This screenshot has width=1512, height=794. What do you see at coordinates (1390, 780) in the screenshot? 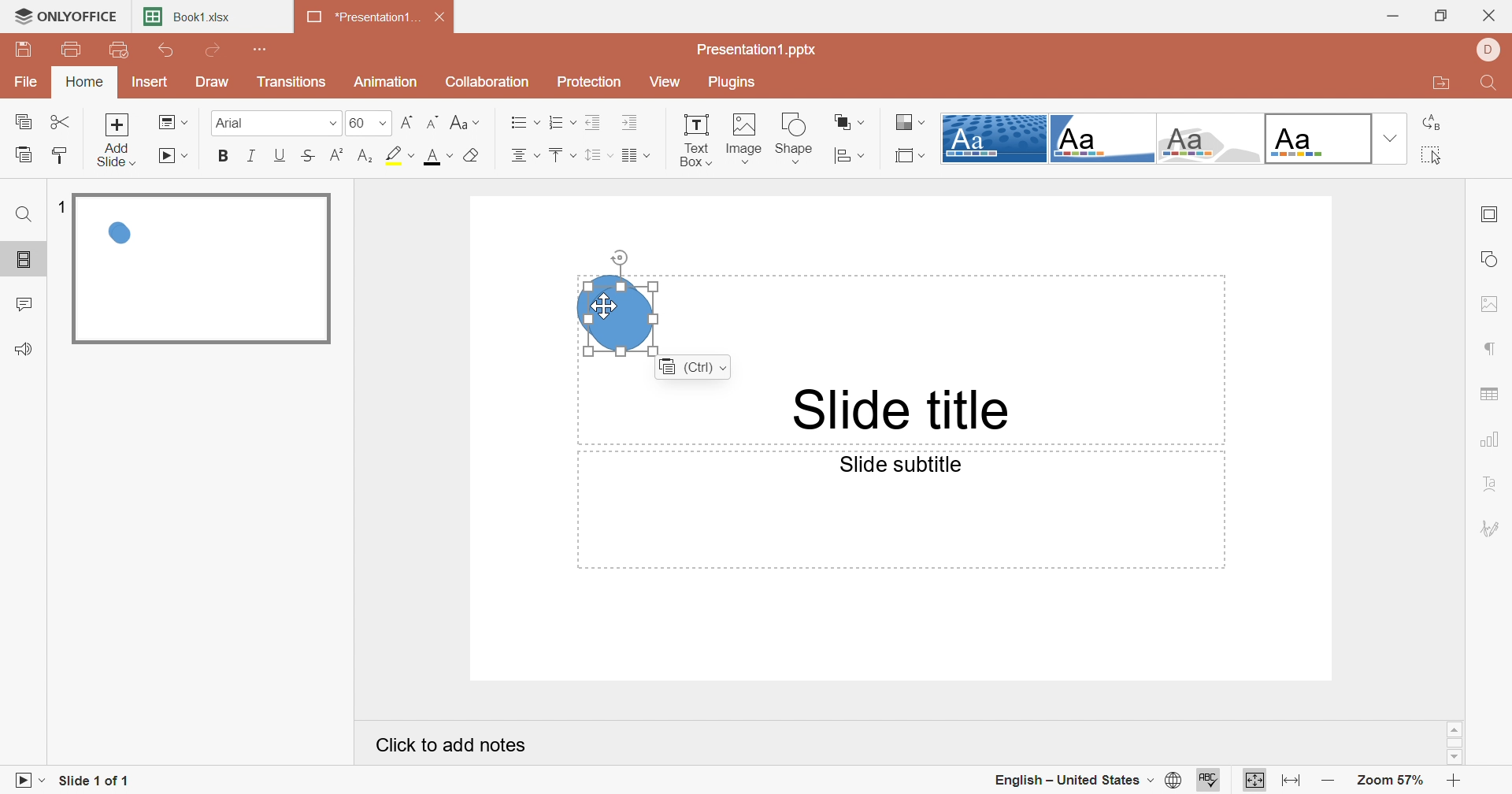
I see `Zoom 57%` at bounding box center [1390, 780].